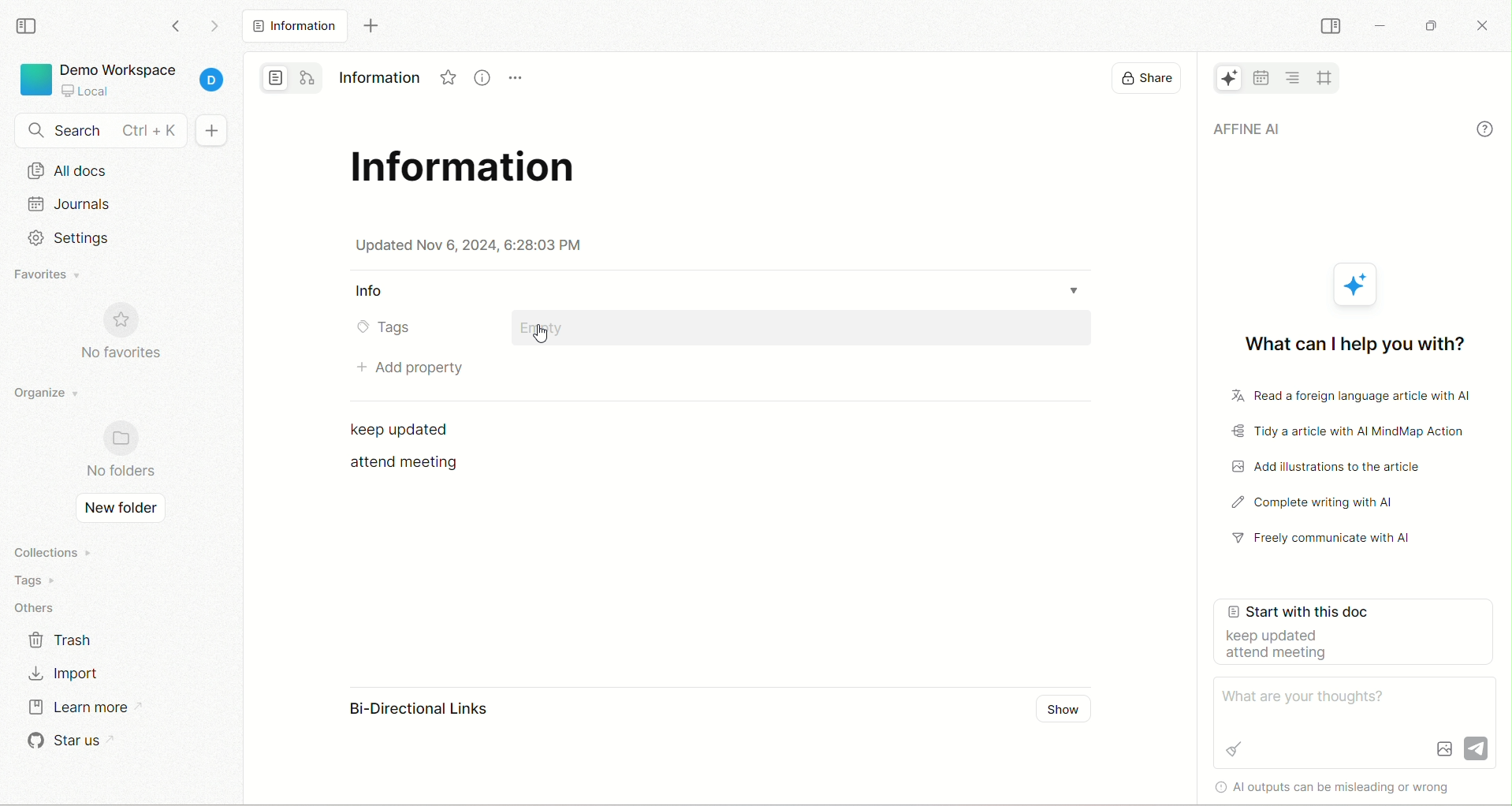 This screenshot has height=806, width=1512. What do you see at coordinates (1484, 129) in the screenshot?
I see `info` at bounding box center [1484, 129].